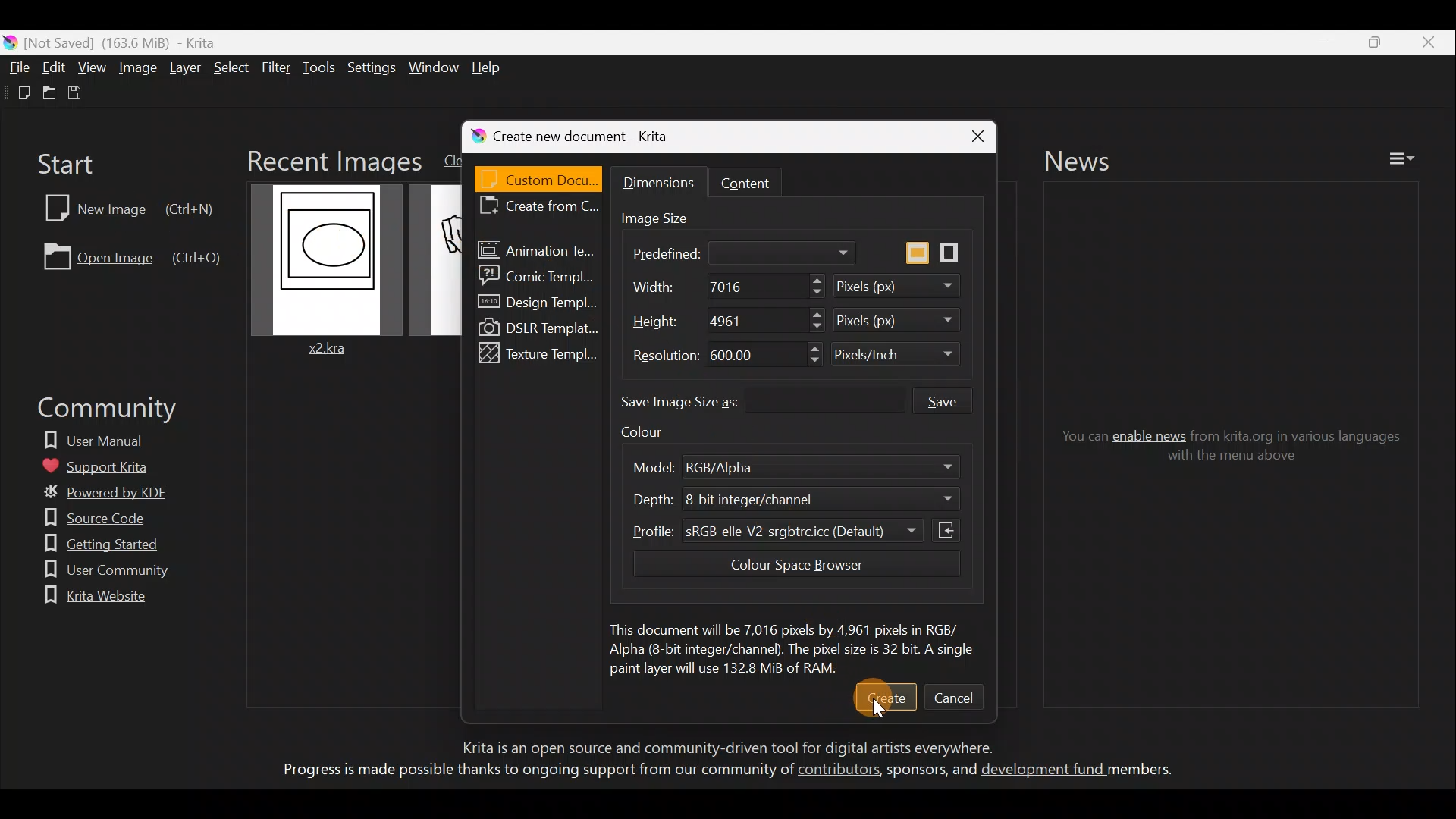  What do you see at coordinates (99, 411) in the screenshot?
I see `Community` at bounding box center [99, 411].